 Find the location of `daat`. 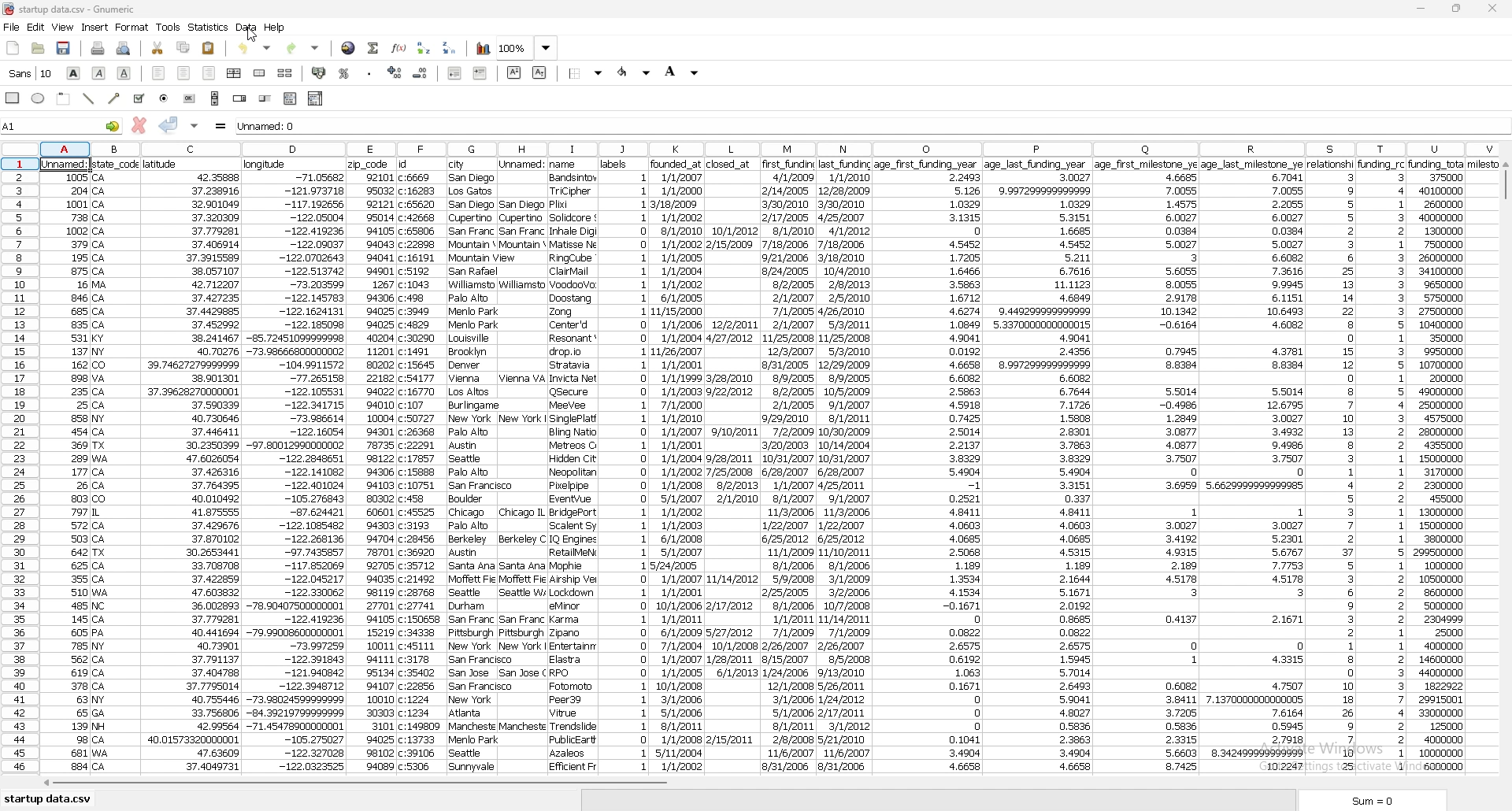

daat is located at coordinates (1450, 465).